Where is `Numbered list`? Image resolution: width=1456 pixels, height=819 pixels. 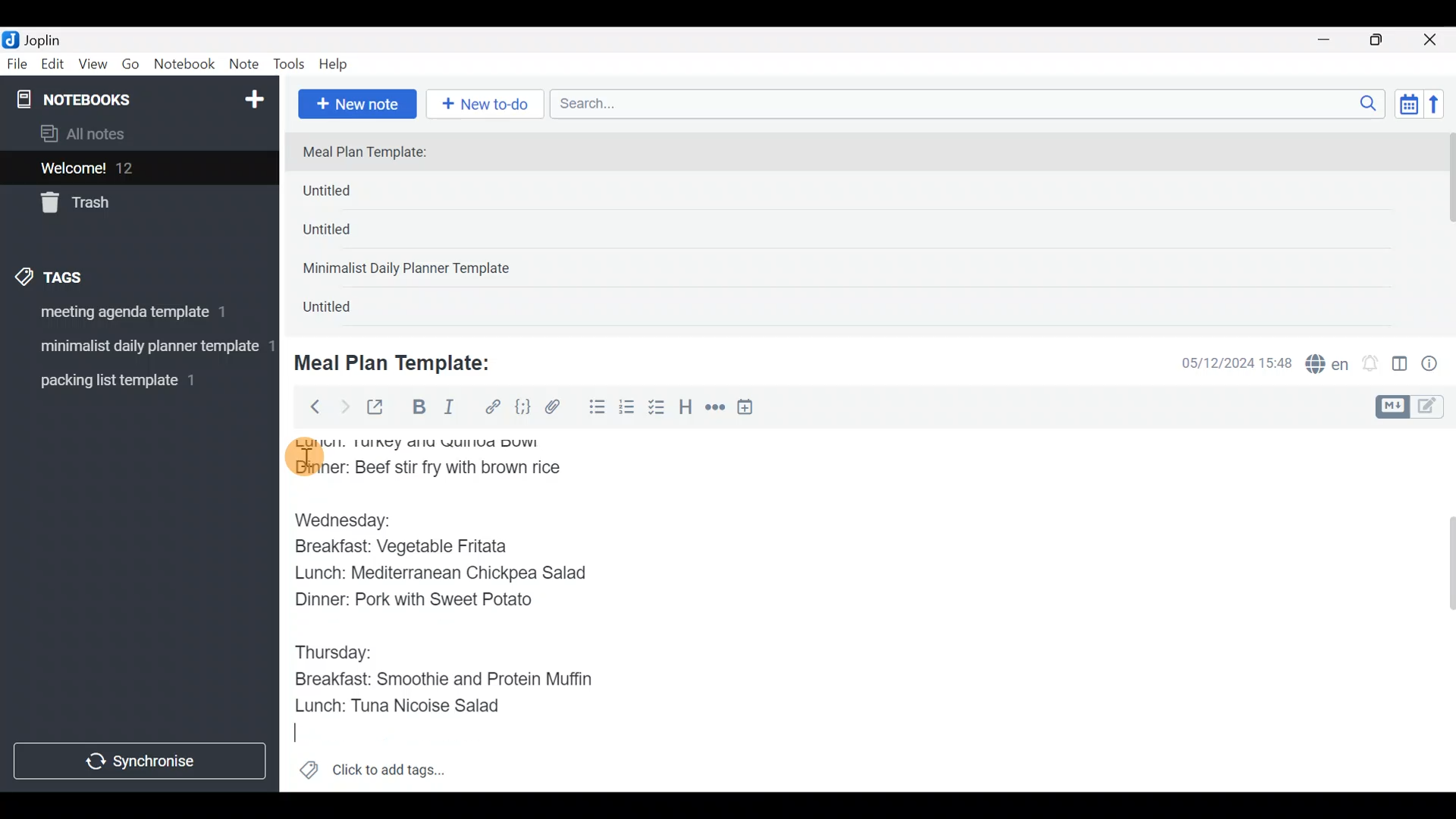 Numbered list is located at coordinates (627, 410).